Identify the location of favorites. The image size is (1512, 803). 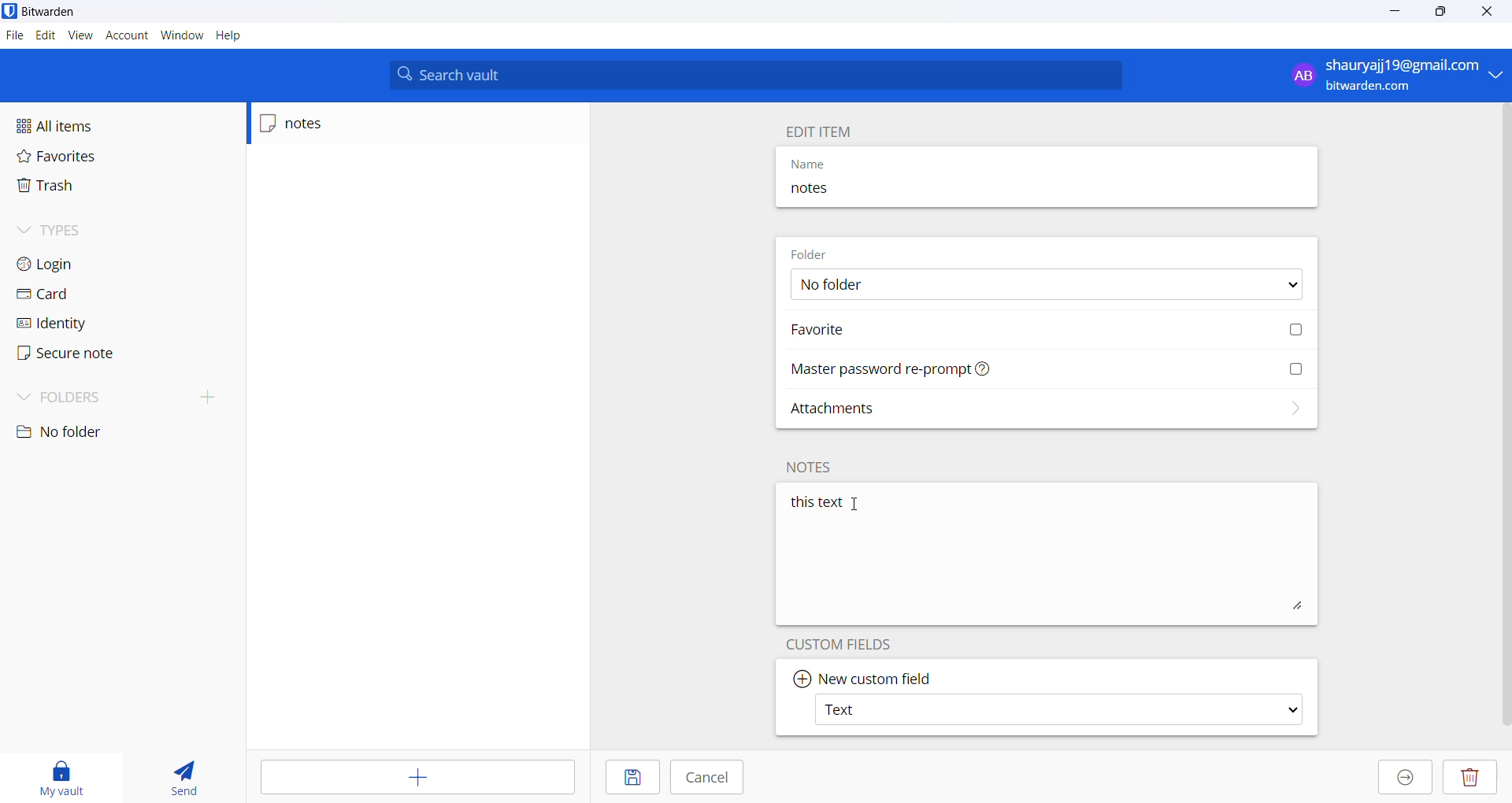
(72, 157).